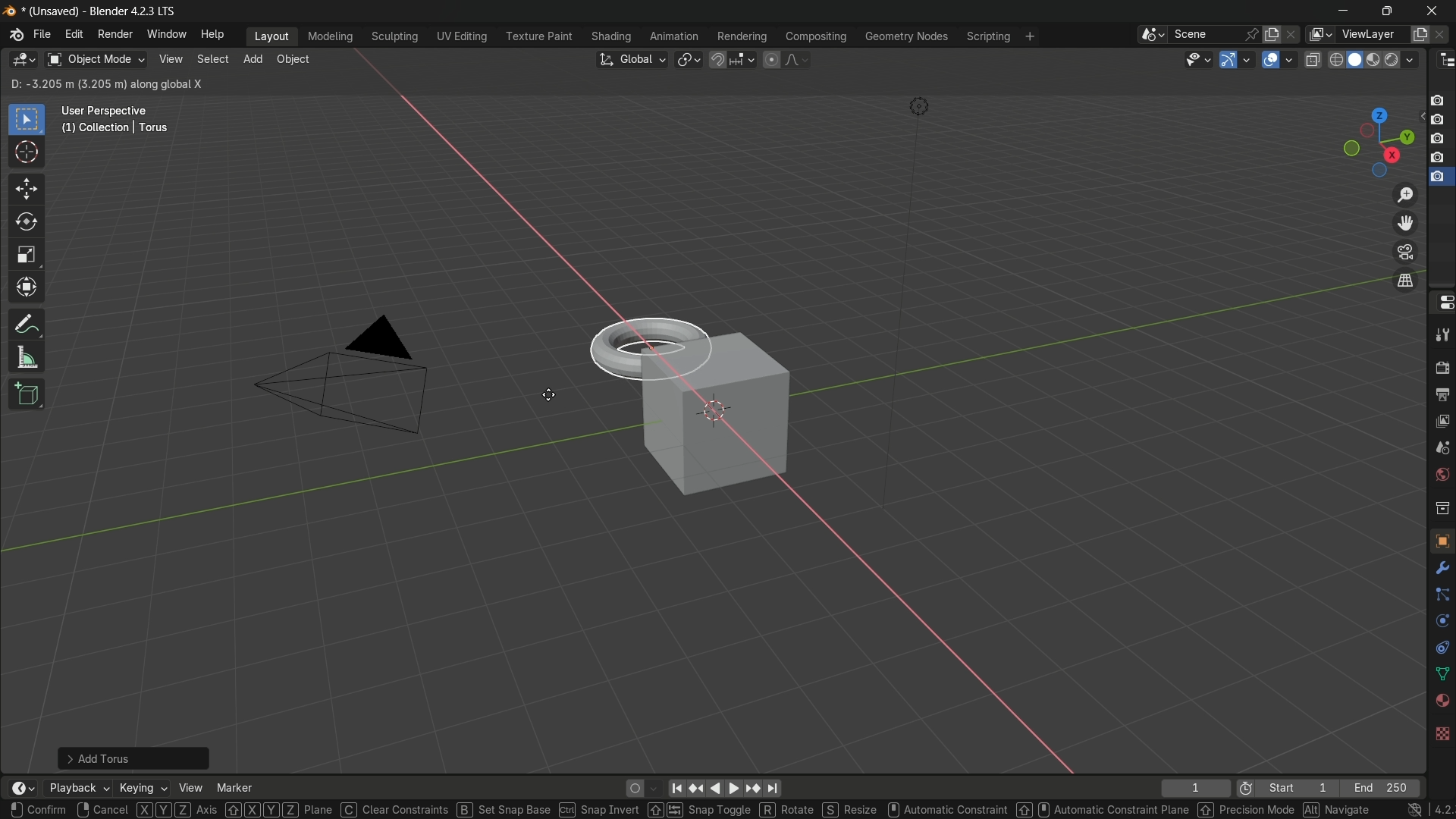 The width and height of the screenshot is (1456, 819). I want to click on cursor, so click(547, 395).